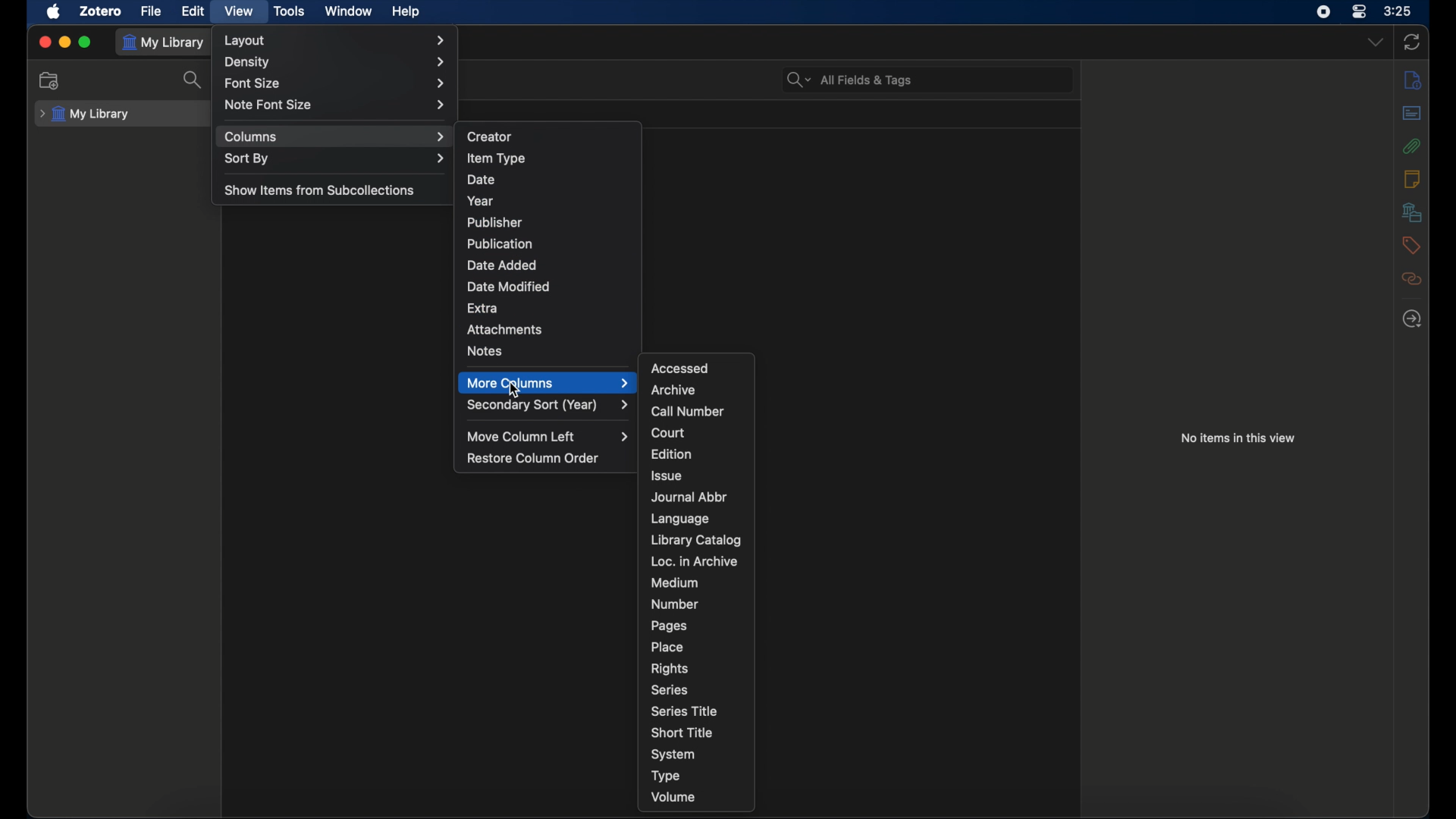 This screenshot has width=1456, height=819. Describe the element at coordinates (673, 454) in the screenshot. I see `edition` at that location.